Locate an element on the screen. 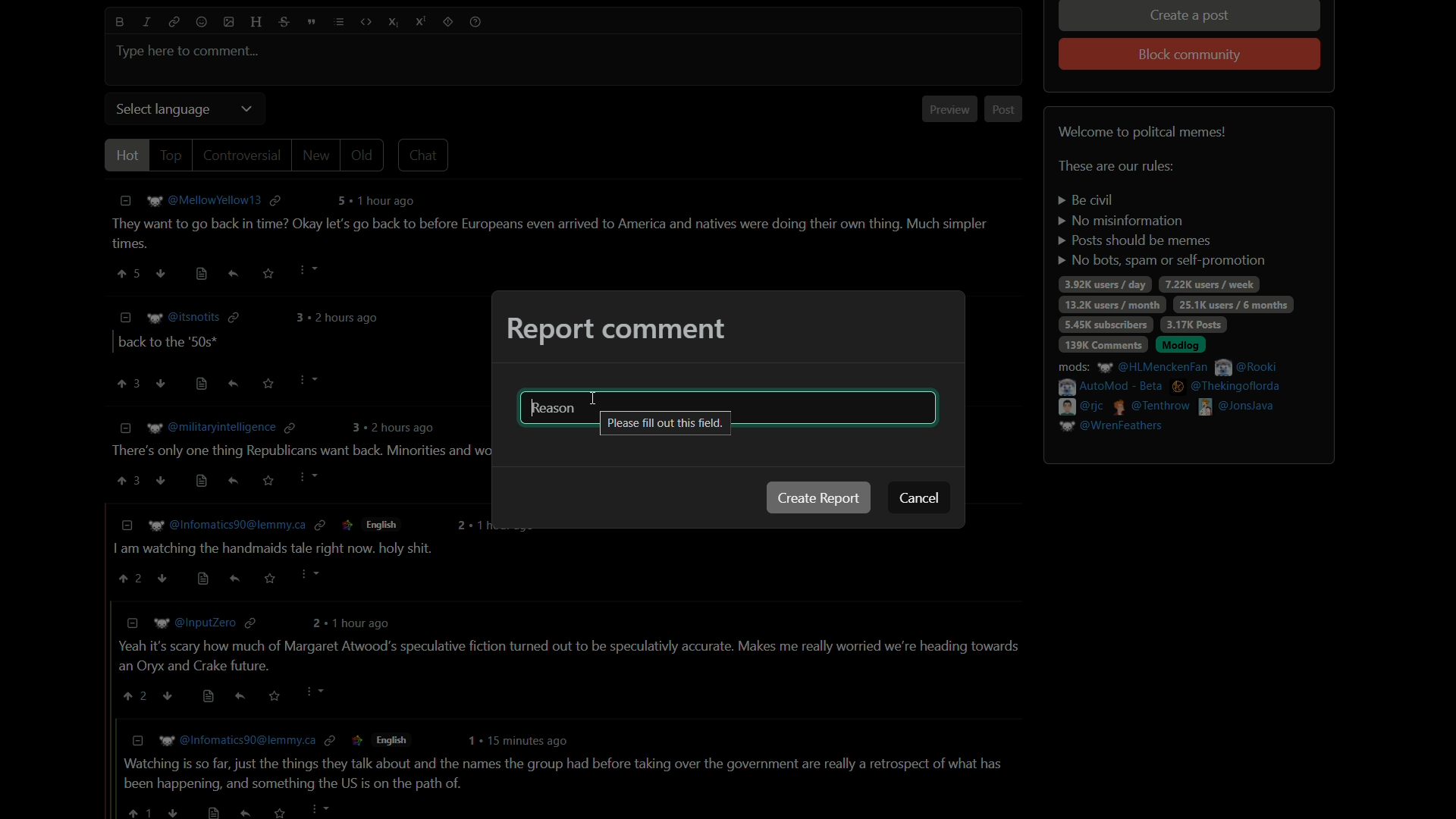 The width and height of the screenshot is (1456, 819). link is located at coordinates (172, 22).